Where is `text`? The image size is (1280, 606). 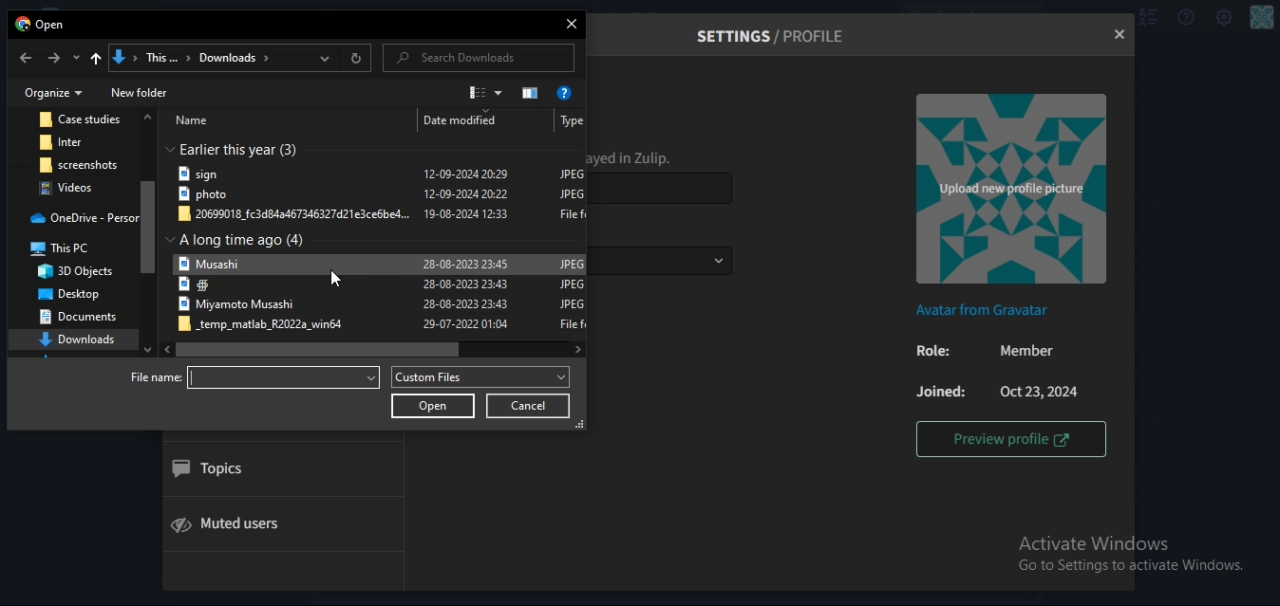
text is located at coordinates (242, 240).